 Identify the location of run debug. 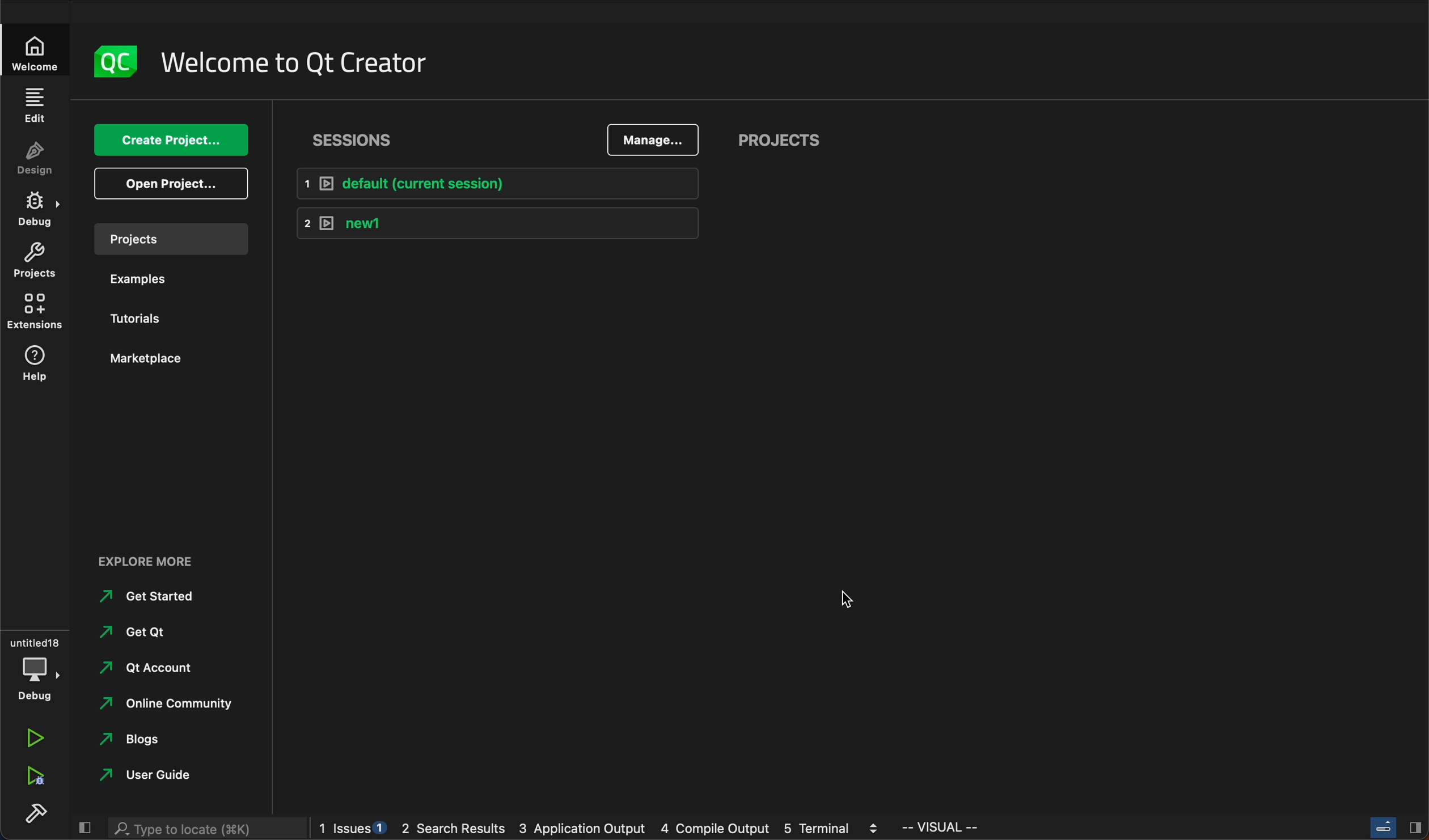
(37, 776).